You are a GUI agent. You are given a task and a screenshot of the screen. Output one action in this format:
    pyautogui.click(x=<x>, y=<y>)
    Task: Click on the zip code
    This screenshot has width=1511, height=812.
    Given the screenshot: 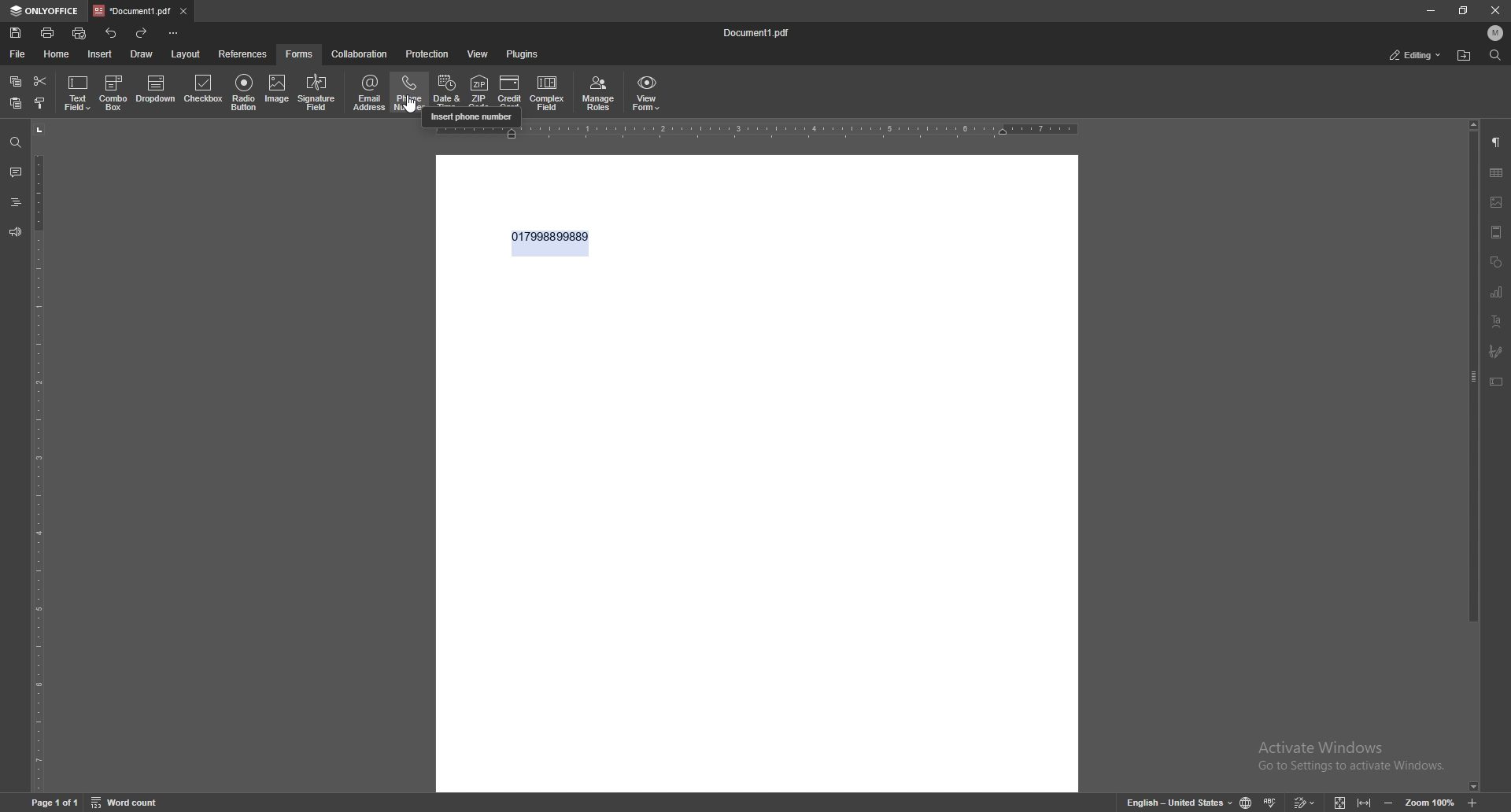 What is the action you would take?
    pyautogui.click(x=481, y=90)
    